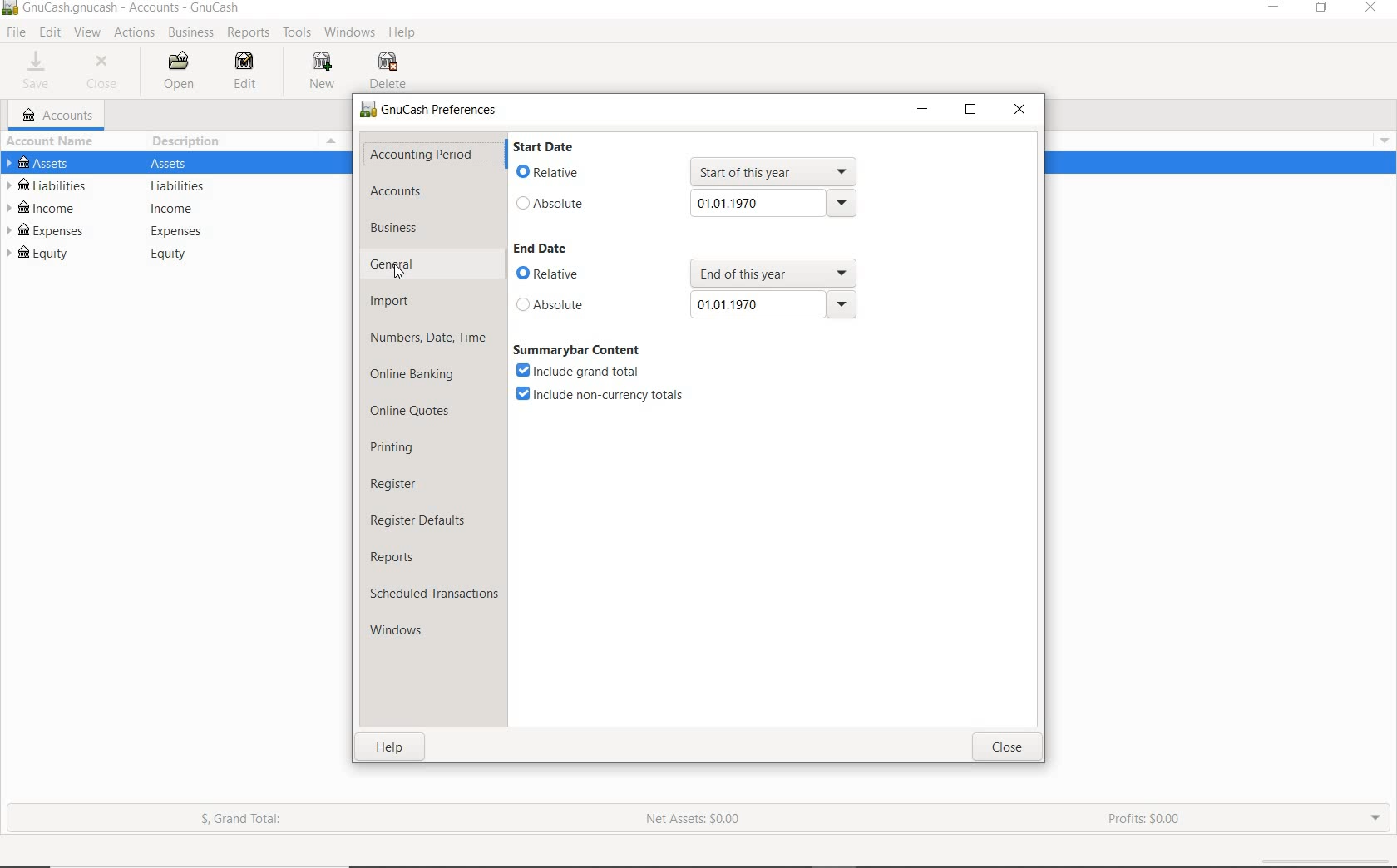 This screenshot has width=1397, height=868. Describe the element at coordinates (1145, 821) in the screenshot. I see `PROFITS` at that location.